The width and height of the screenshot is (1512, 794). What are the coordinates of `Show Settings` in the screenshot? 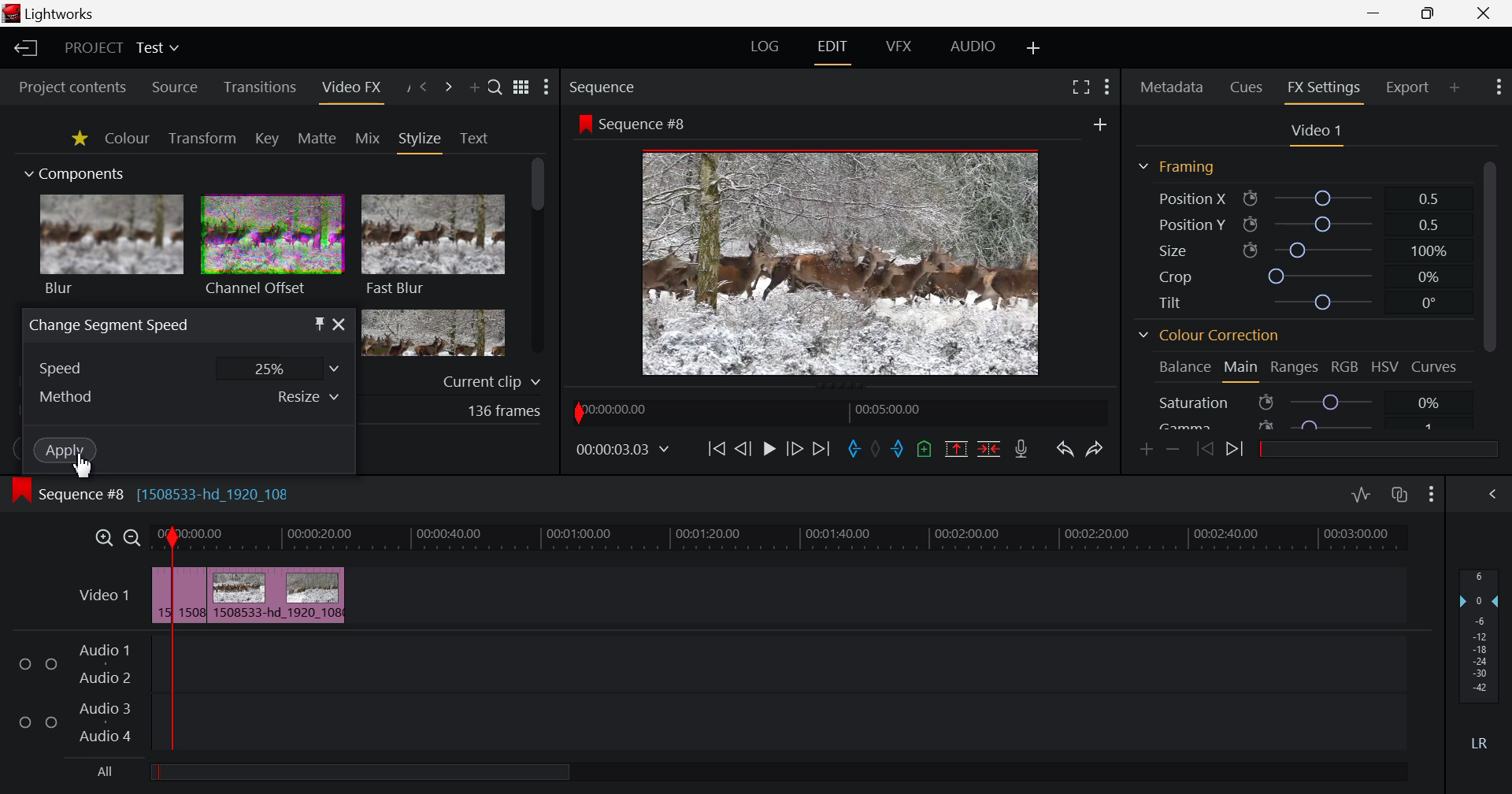 It's located at (1107, 90).